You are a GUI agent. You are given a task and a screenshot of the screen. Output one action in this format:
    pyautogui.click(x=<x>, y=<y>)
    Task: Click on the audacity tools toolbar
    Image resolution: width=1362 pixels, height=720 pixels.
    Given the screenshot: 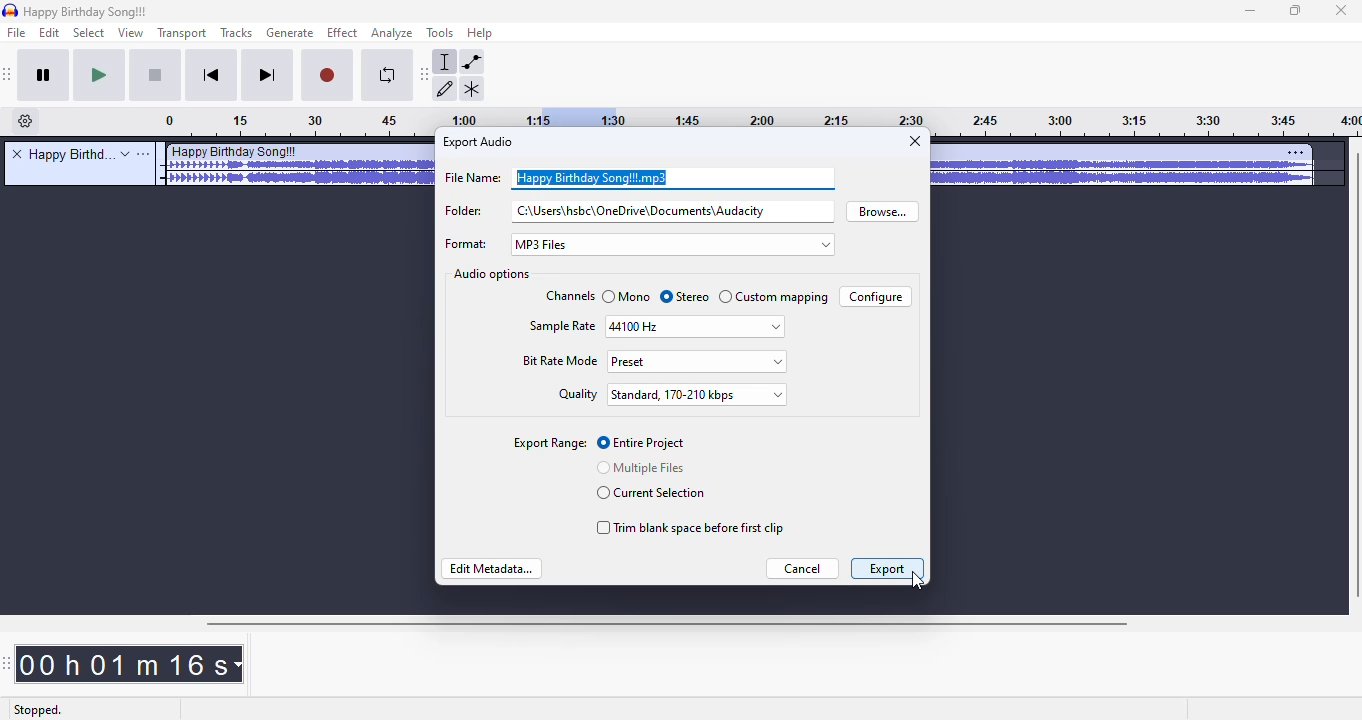 What is the action you would take?
    pyautogui.click(x=424, y=75)
    